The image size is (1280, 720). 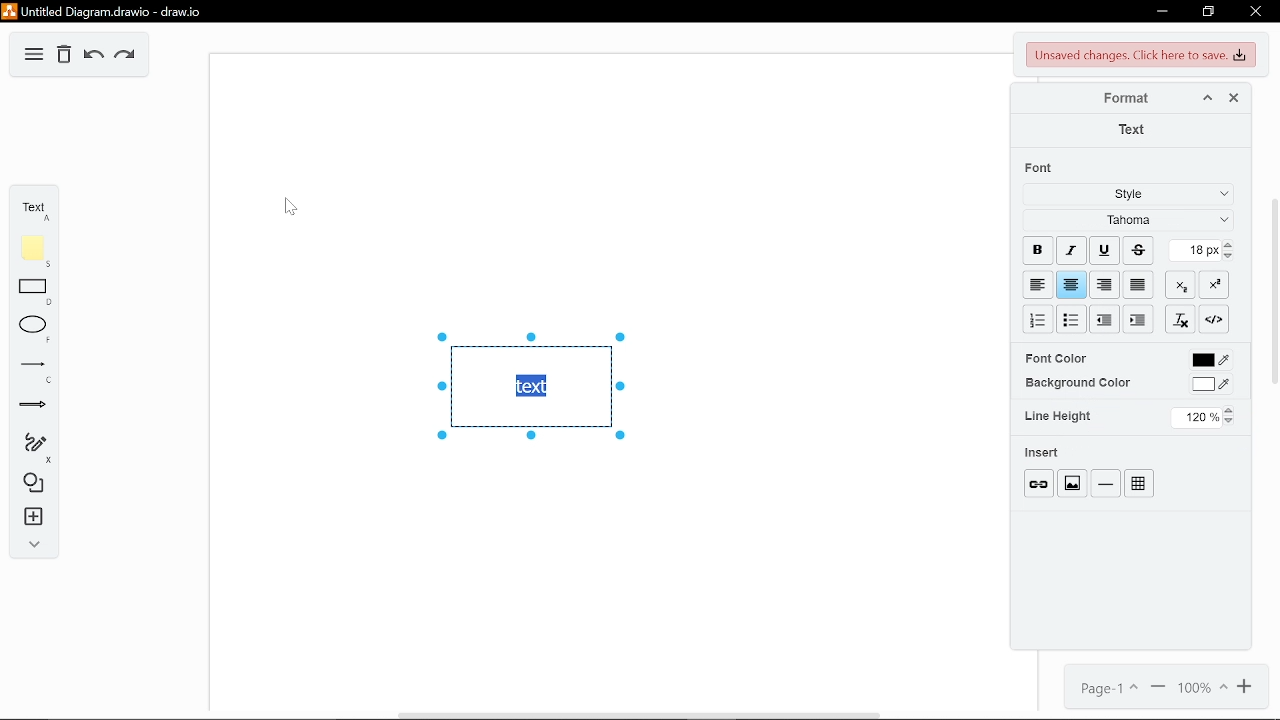 What do you see at coordinates (1102, 249) in the screenshot?
I see `underline` at bounding box center [1102, 249].